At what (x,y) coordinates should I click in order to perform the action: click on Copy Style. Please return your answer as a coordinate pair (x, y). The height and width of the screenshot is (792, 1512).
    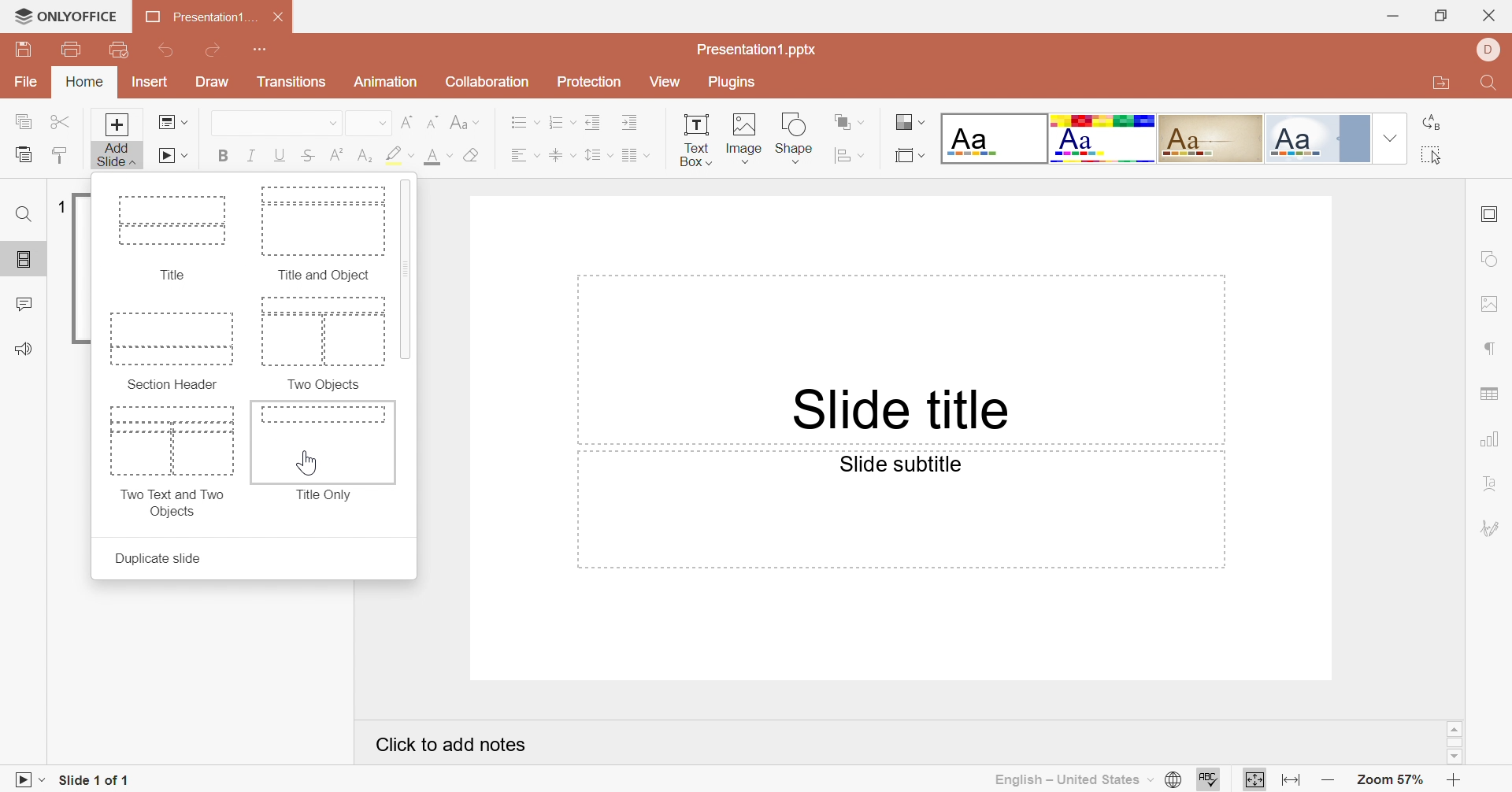
    Looking at the image, I should click on (62, 156).